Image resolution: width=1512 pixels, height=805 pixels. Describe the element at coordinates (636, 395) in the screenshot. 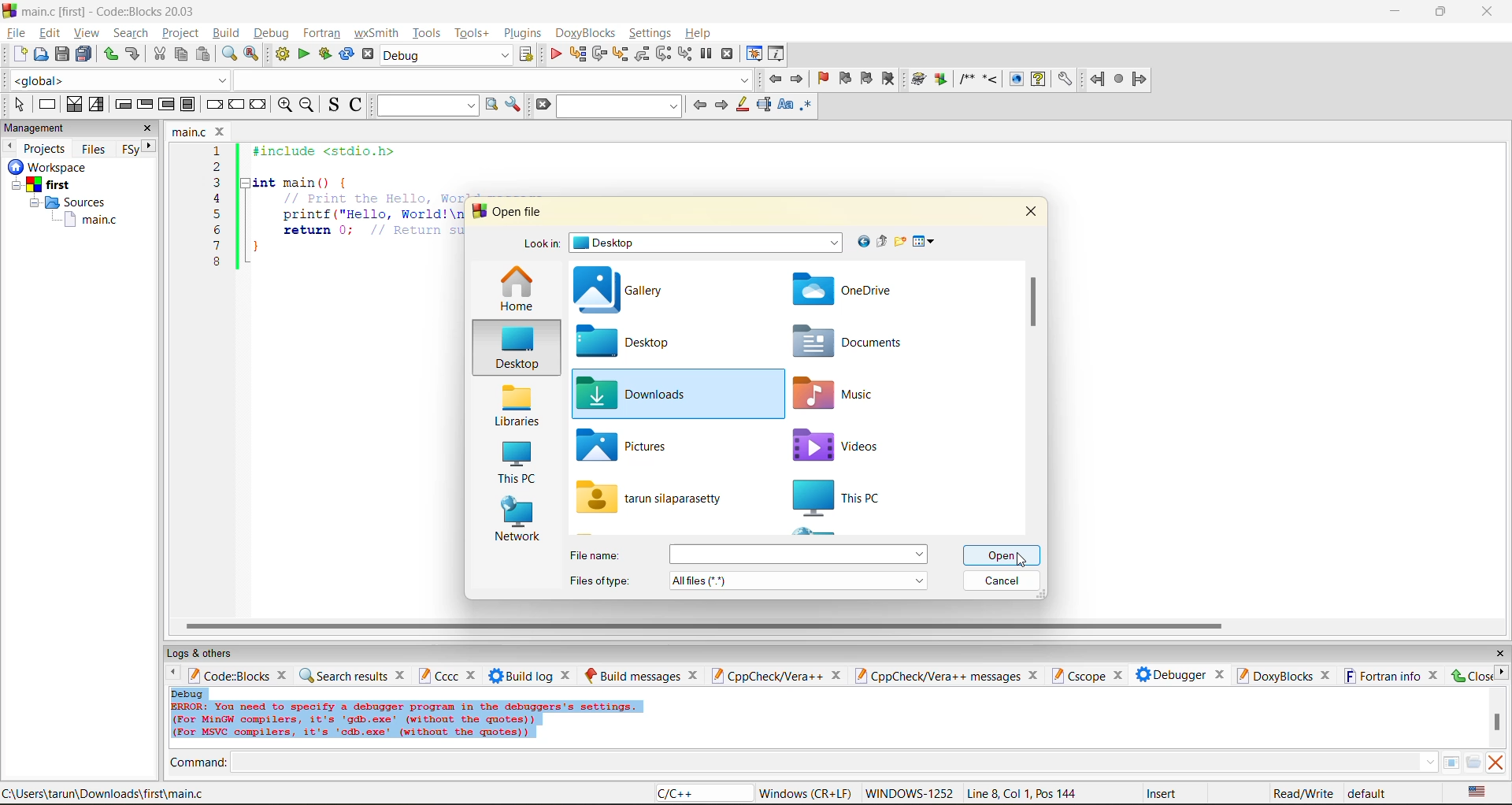

I see `downloads` at that location.